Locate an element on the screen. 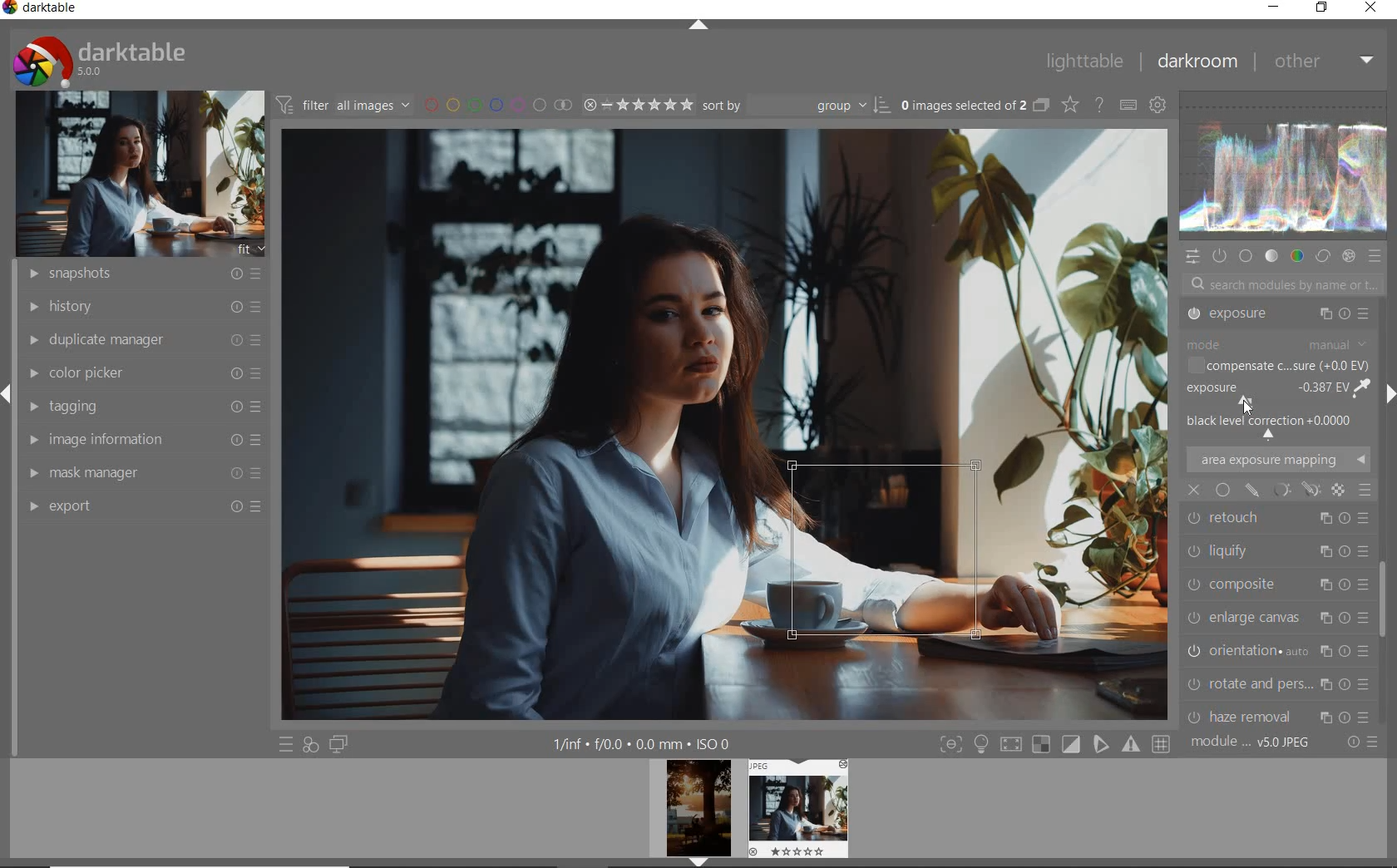 The image size is (1397, 868). IMAGE PREVIEW is located at coordinates (698, 814).